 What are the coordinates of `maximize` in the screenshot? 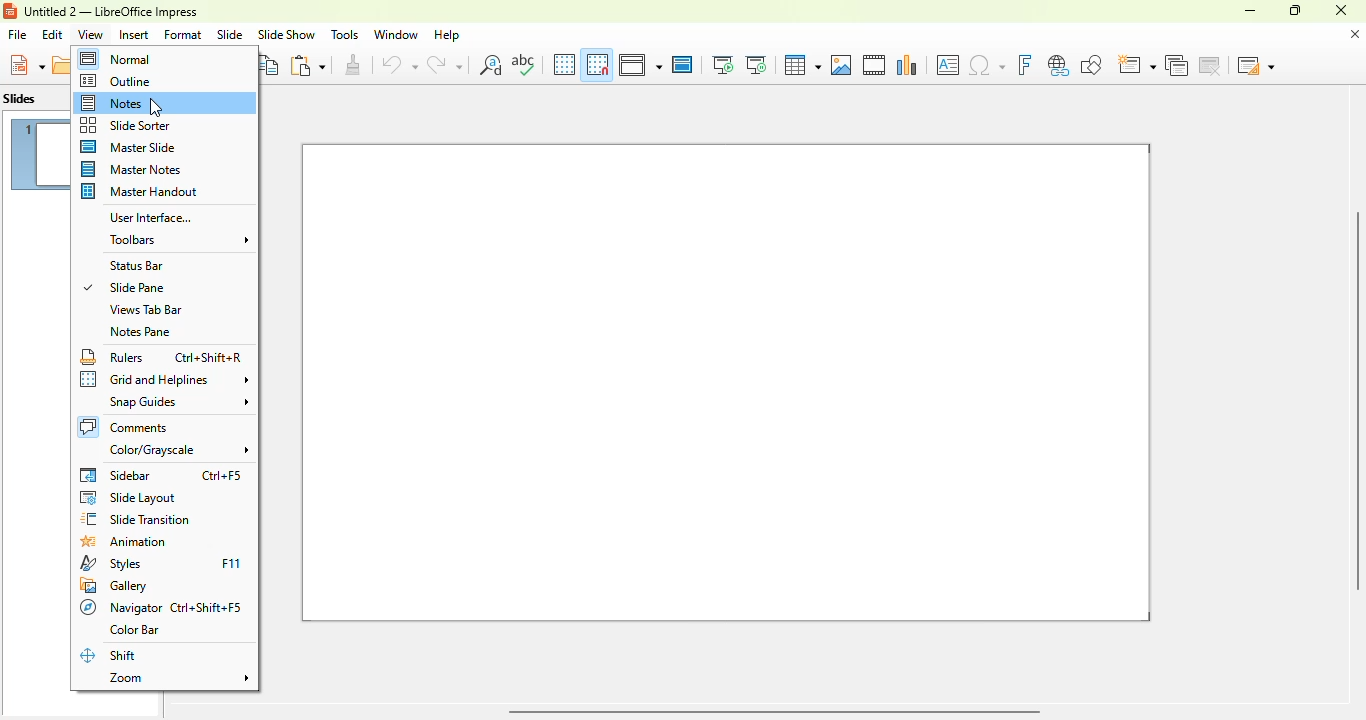 It's located at (1296, 10).